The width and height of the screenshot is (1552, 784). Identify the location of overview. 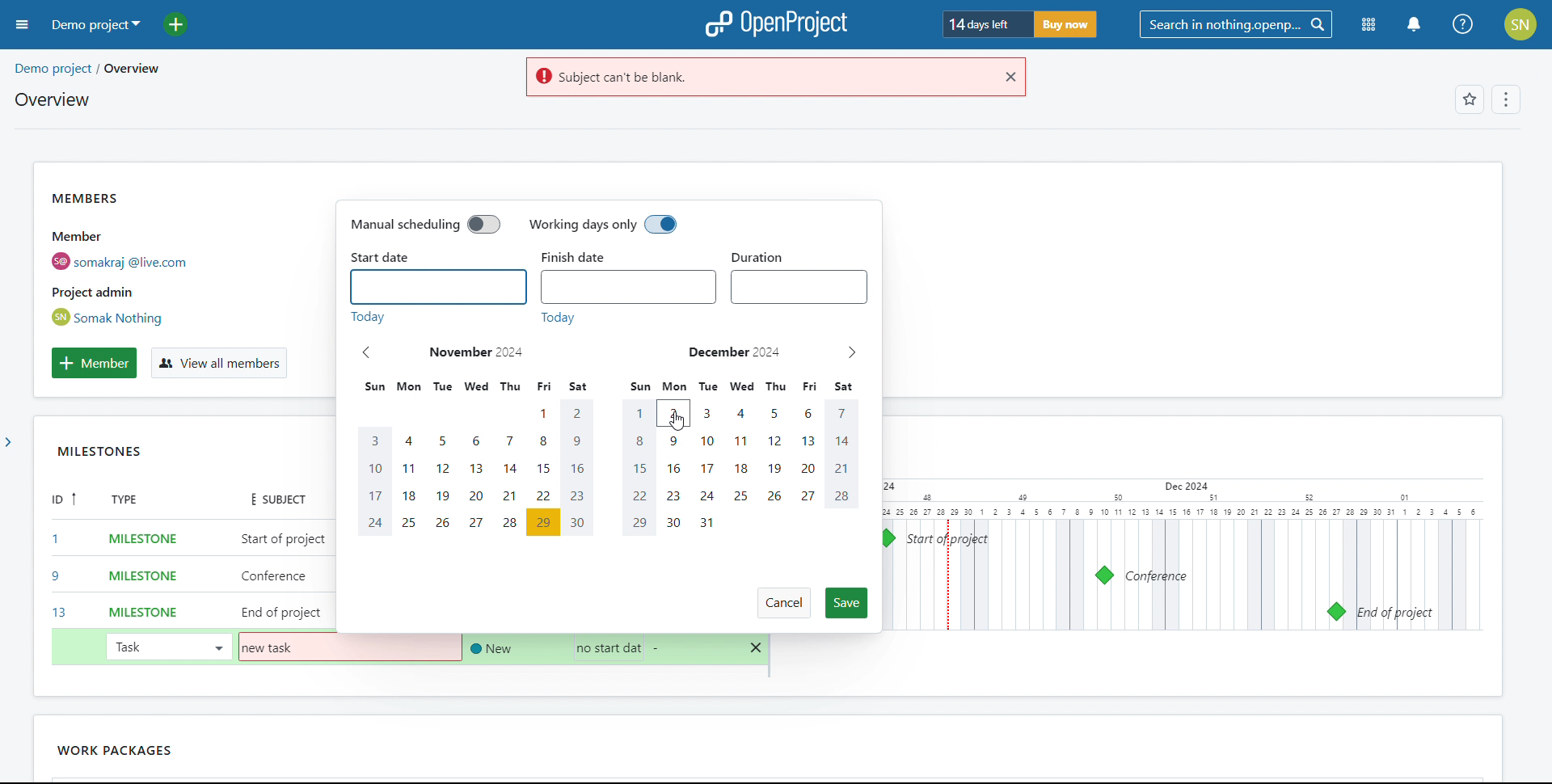
(51, 99).